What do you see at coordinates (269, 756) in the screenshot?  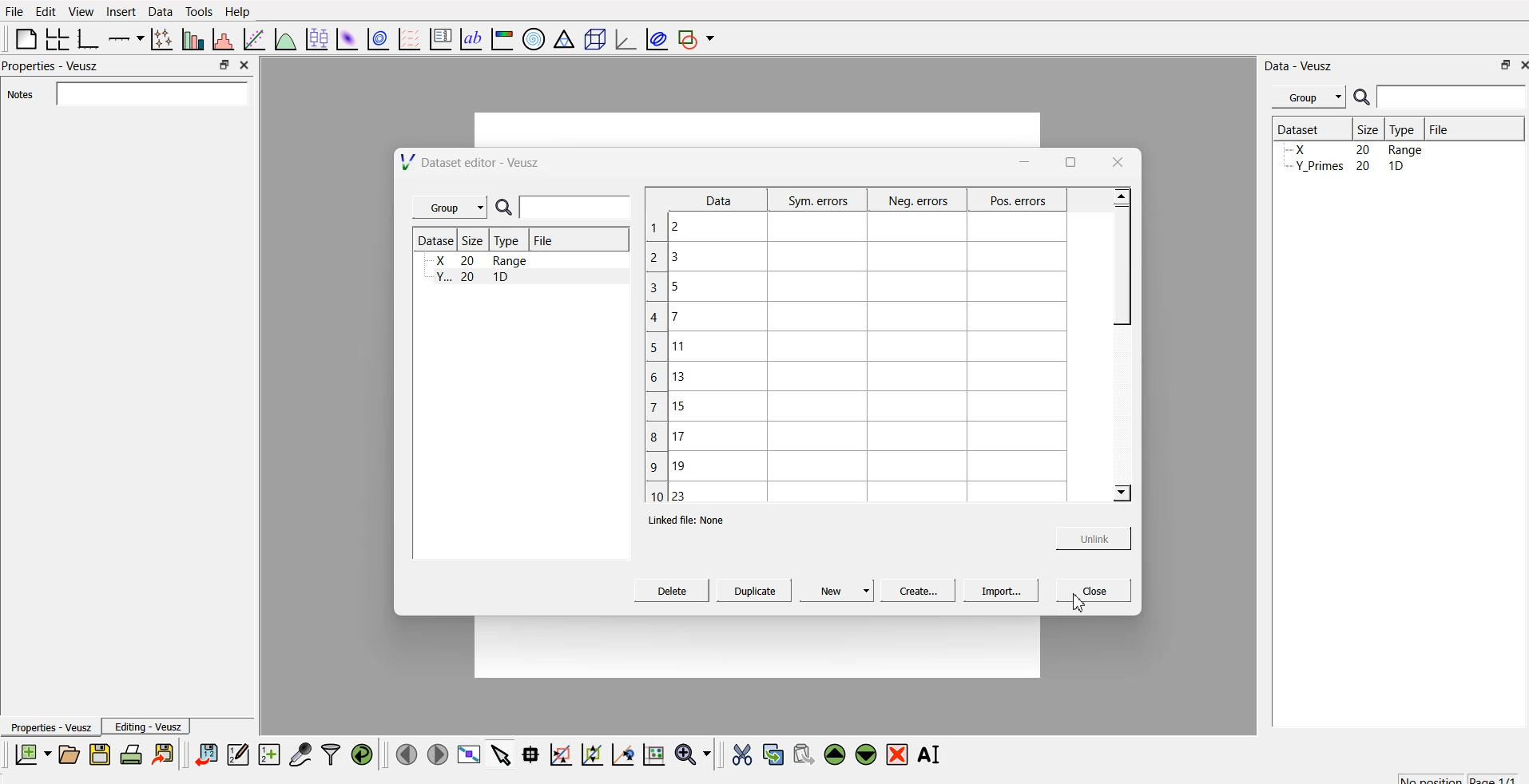 I see `create a new dataset` at bounding box center [269, 756].